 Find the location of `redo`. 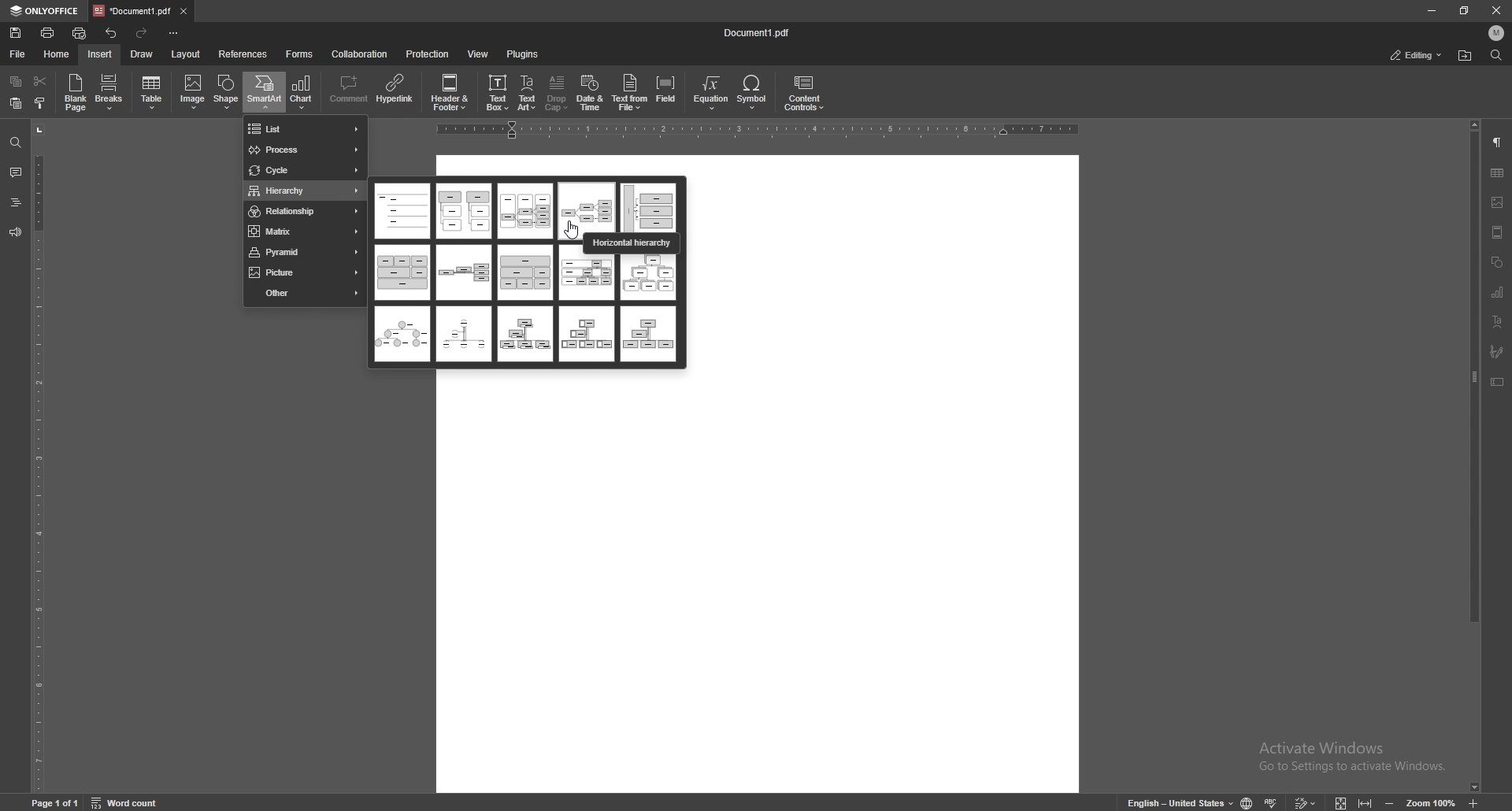

redo is located at coordinates (142, 33).